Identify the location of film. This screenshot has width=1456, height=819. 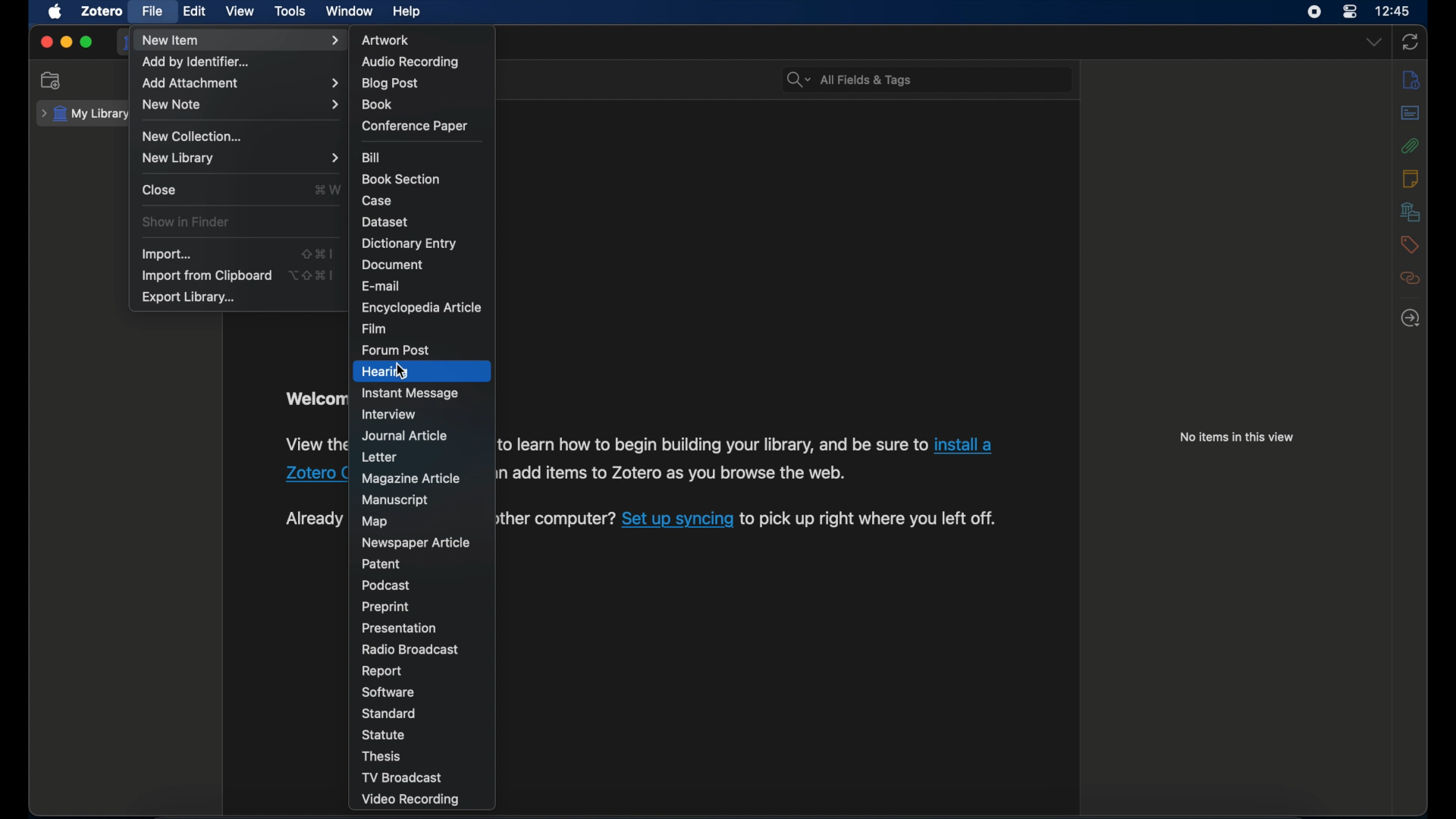
(376, 329).